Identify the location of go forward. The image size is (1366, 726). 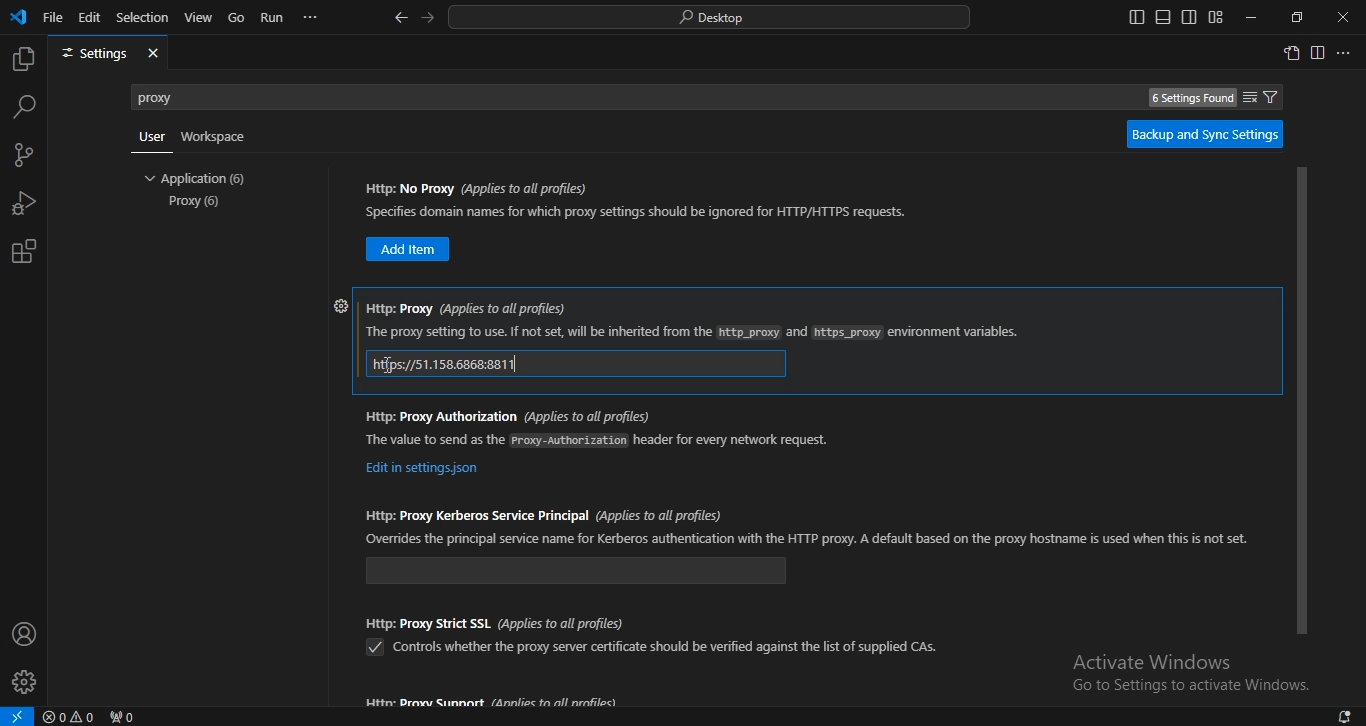
(426, 19).